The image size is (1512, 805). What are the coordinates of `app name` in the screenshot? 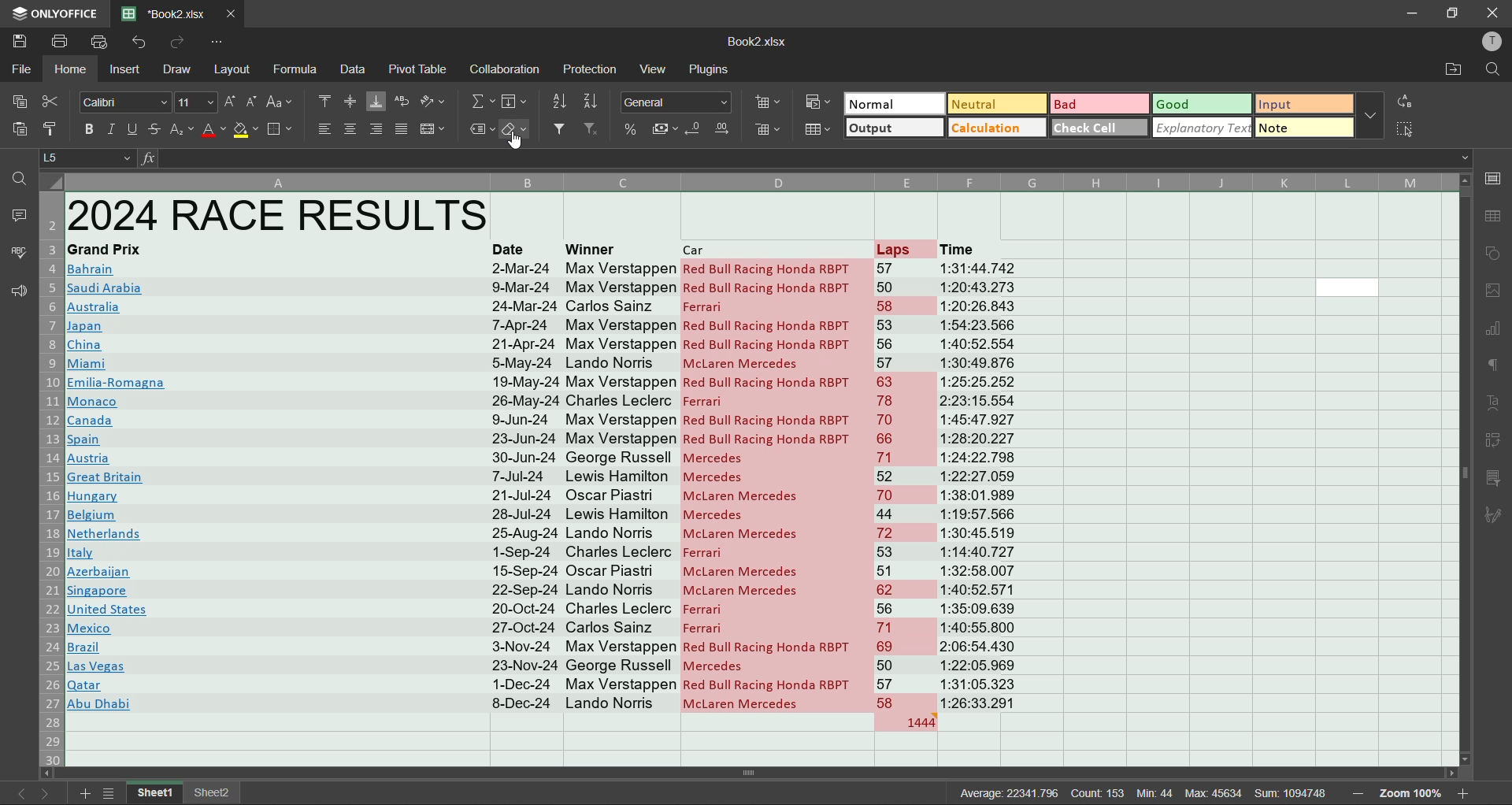 It's located at (55, 11).